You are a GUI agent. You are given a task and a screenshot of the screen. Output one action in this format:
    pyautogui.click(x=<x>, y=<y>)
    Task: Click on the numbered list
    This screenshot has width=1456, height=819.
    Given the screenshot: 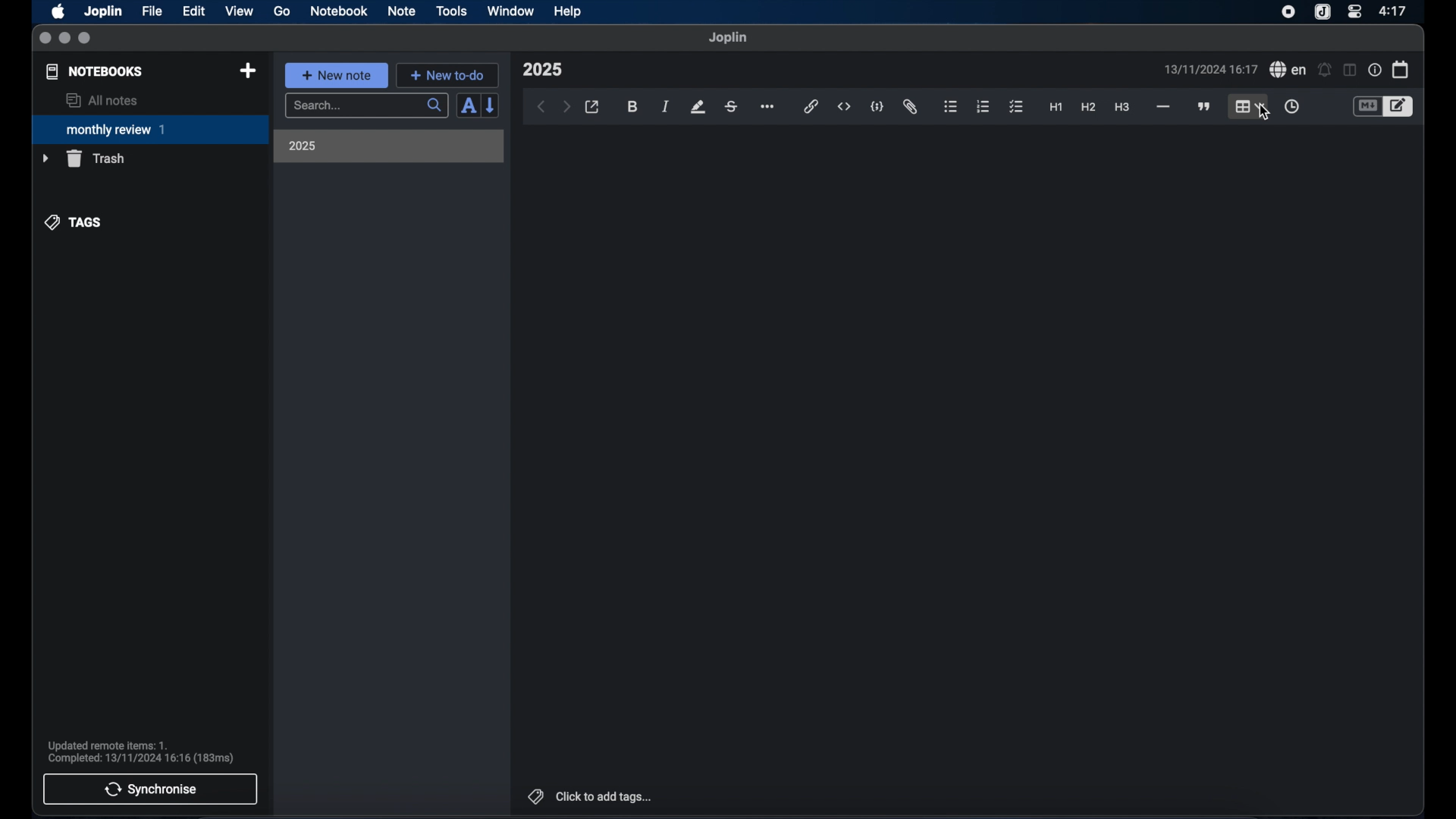 What is the action you would take?
    pyautogui.click(x=983, y=106)
    